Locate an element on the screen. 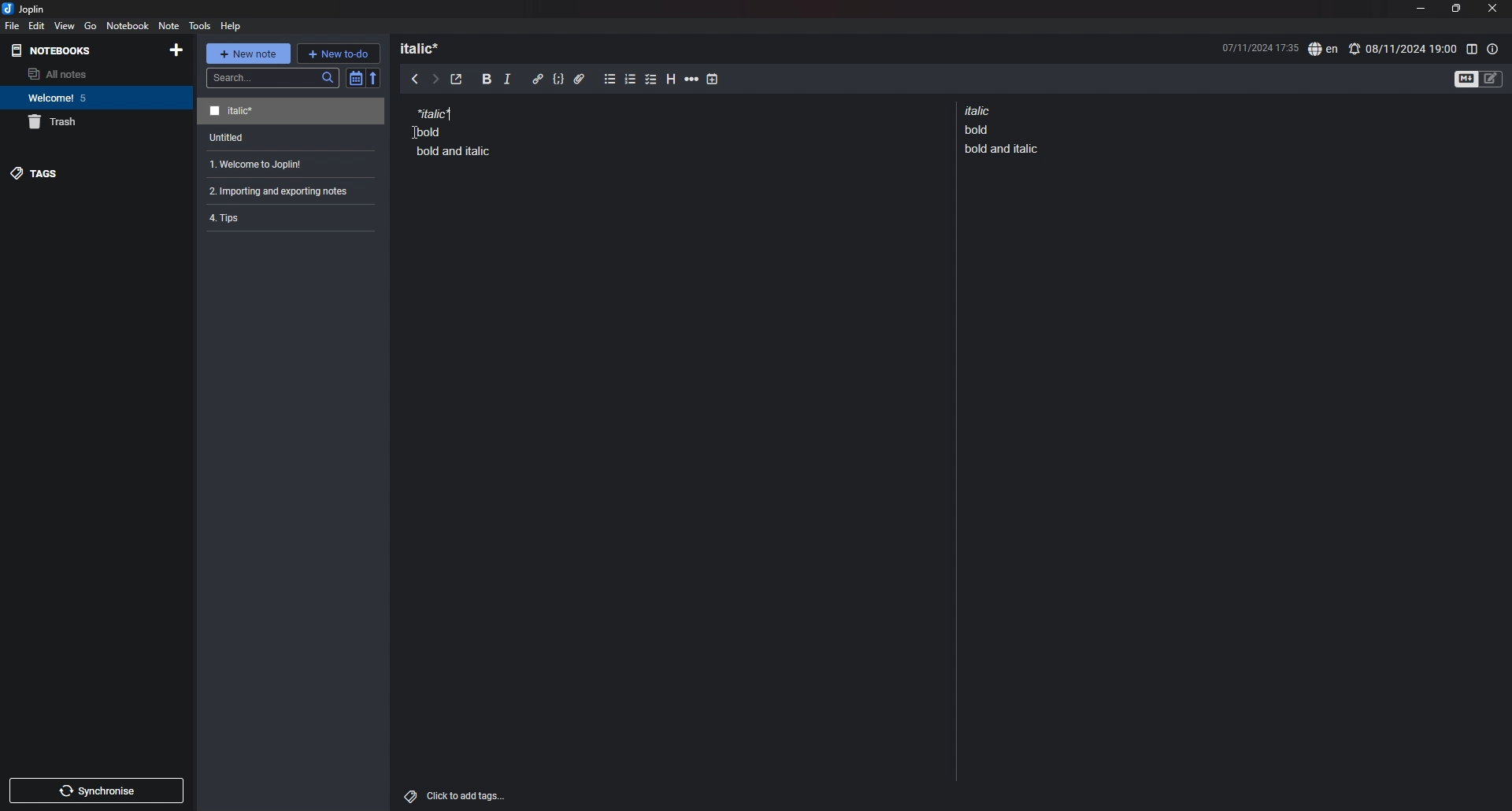  file is located at coordinates (13, 25).